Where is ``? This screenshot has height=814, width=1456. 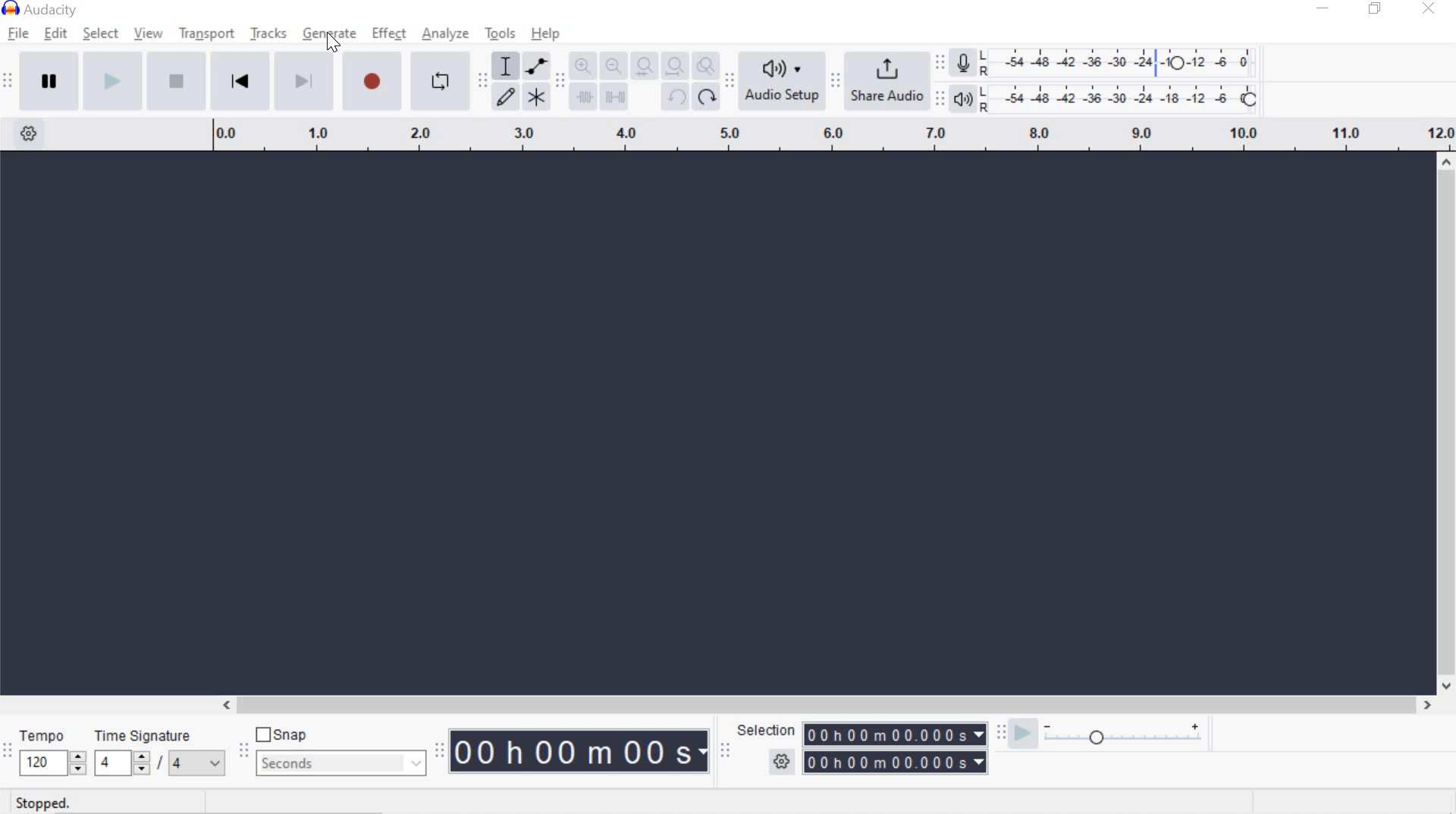  is located at coordinates (765, 731).